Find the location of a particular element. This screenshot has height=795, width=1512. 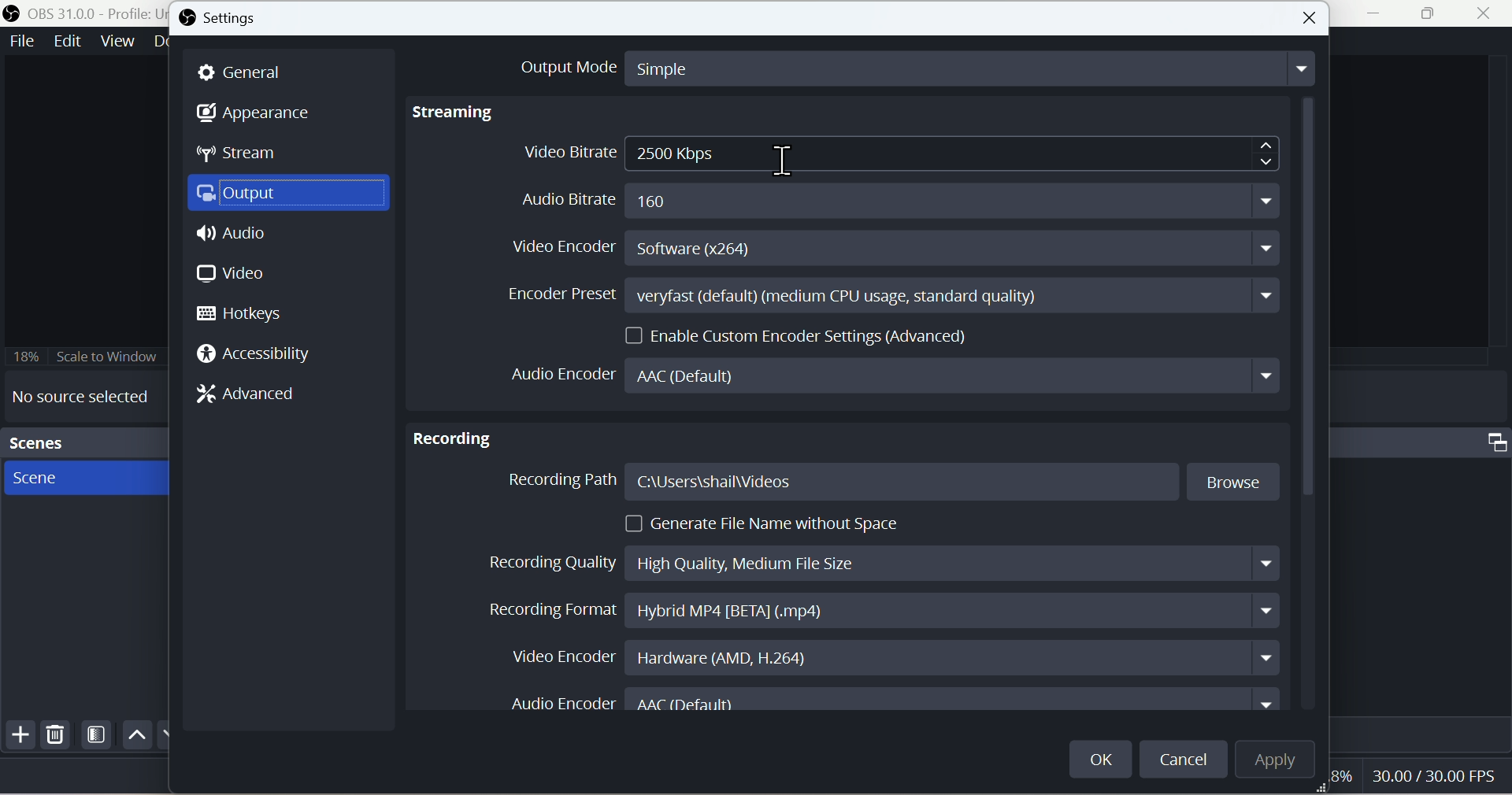

Edit is located at coordinates (66, 43).